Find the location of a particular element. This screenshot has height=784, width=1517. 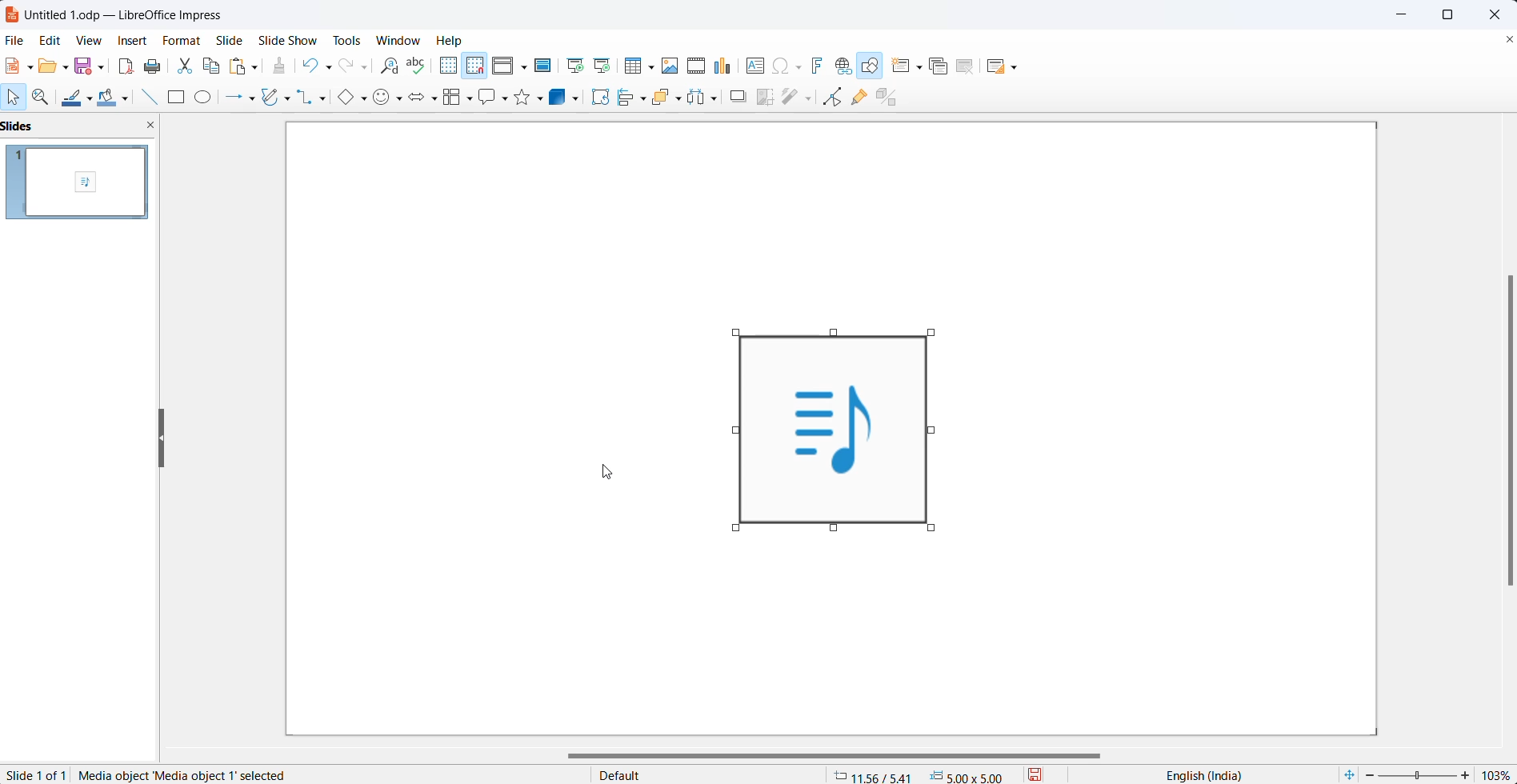

window is located at coordinates (398, 40).